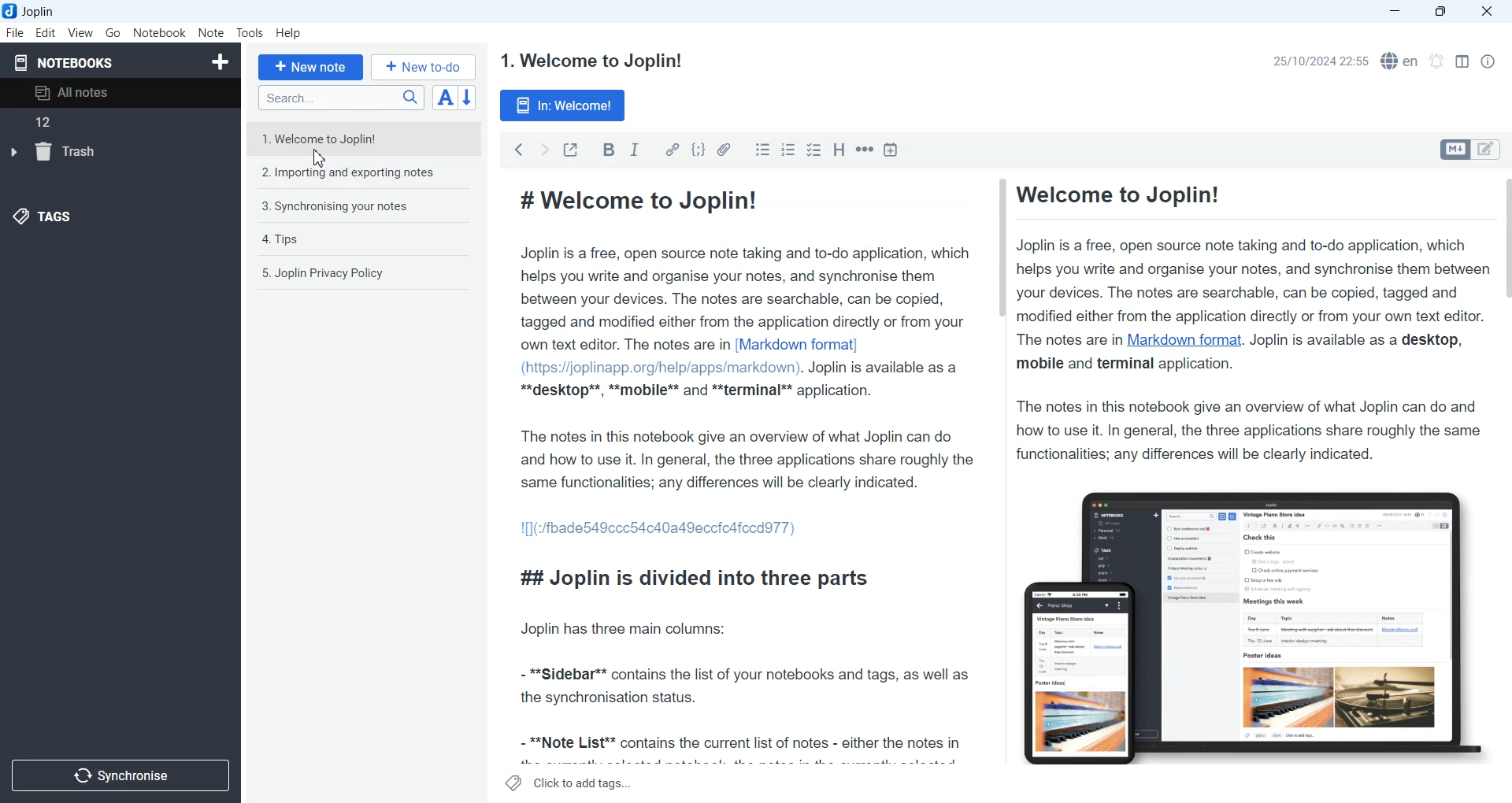  What do you see at coordinates (865, 150) in the screenshot?
I see `Horizontal rule` at bounding box center [865, 150].